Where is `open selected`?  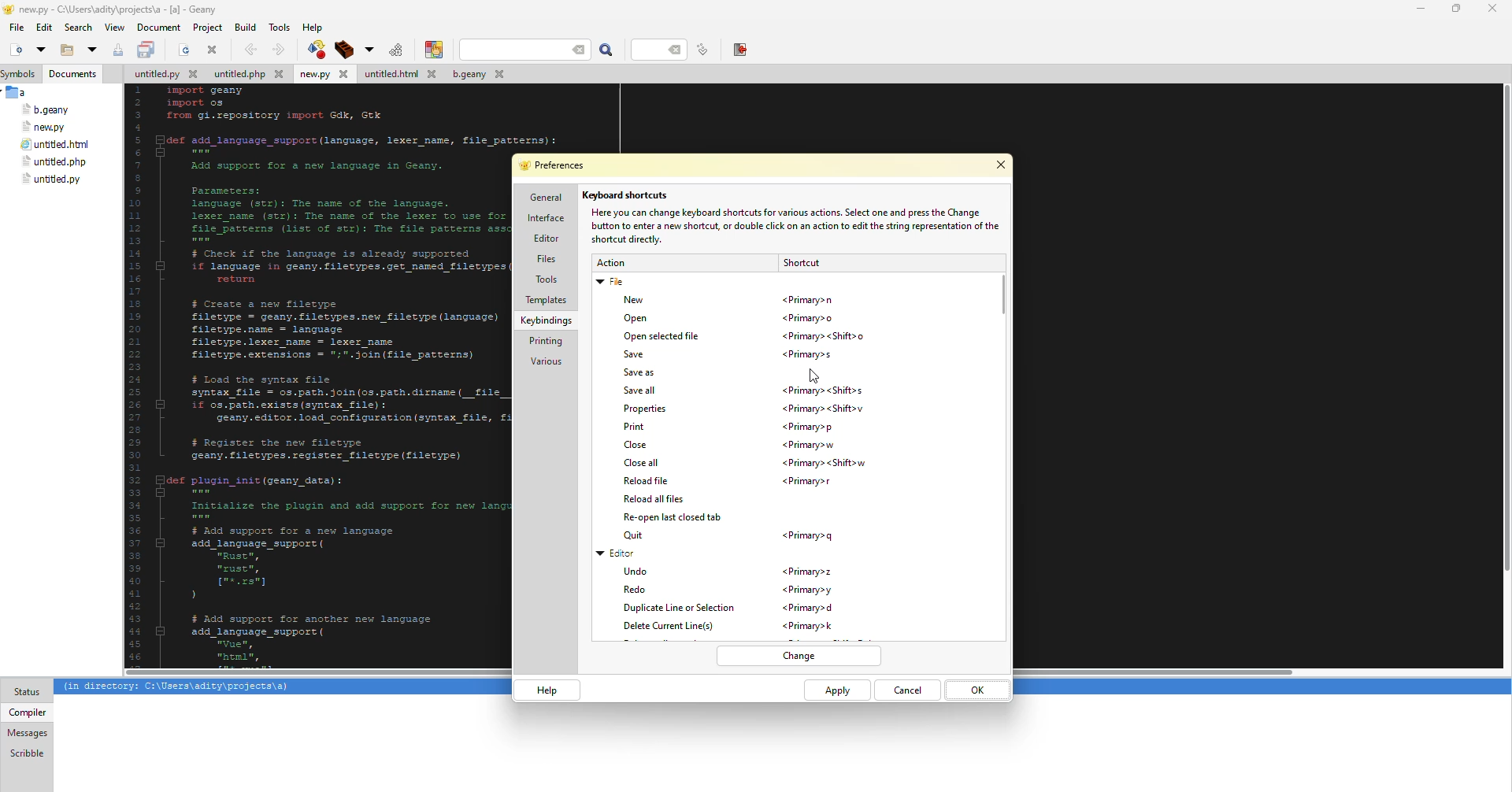 open selected is located at coordinates (663, 337).